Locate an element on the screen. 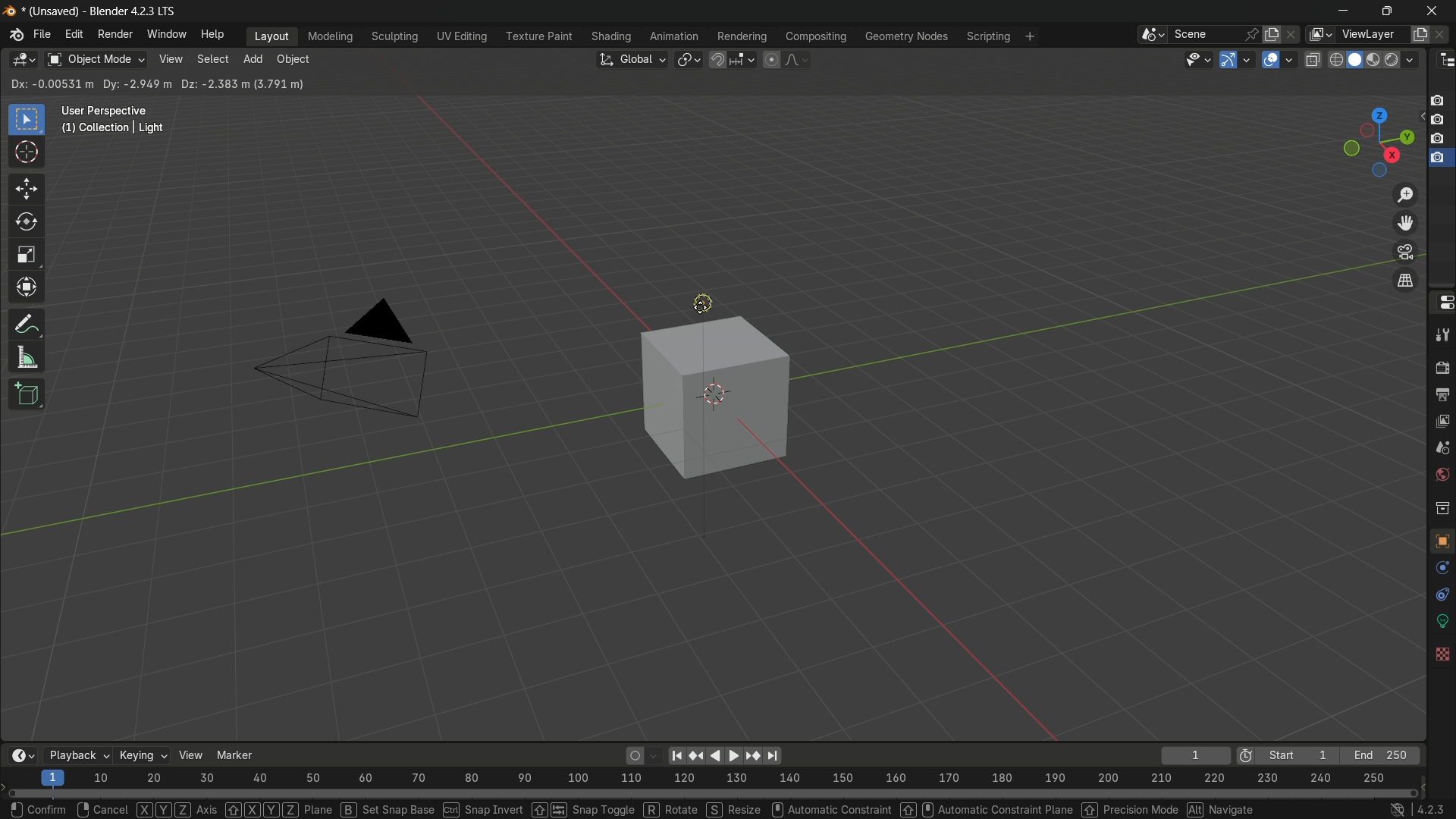  scale is located at coordinates (721, 778).